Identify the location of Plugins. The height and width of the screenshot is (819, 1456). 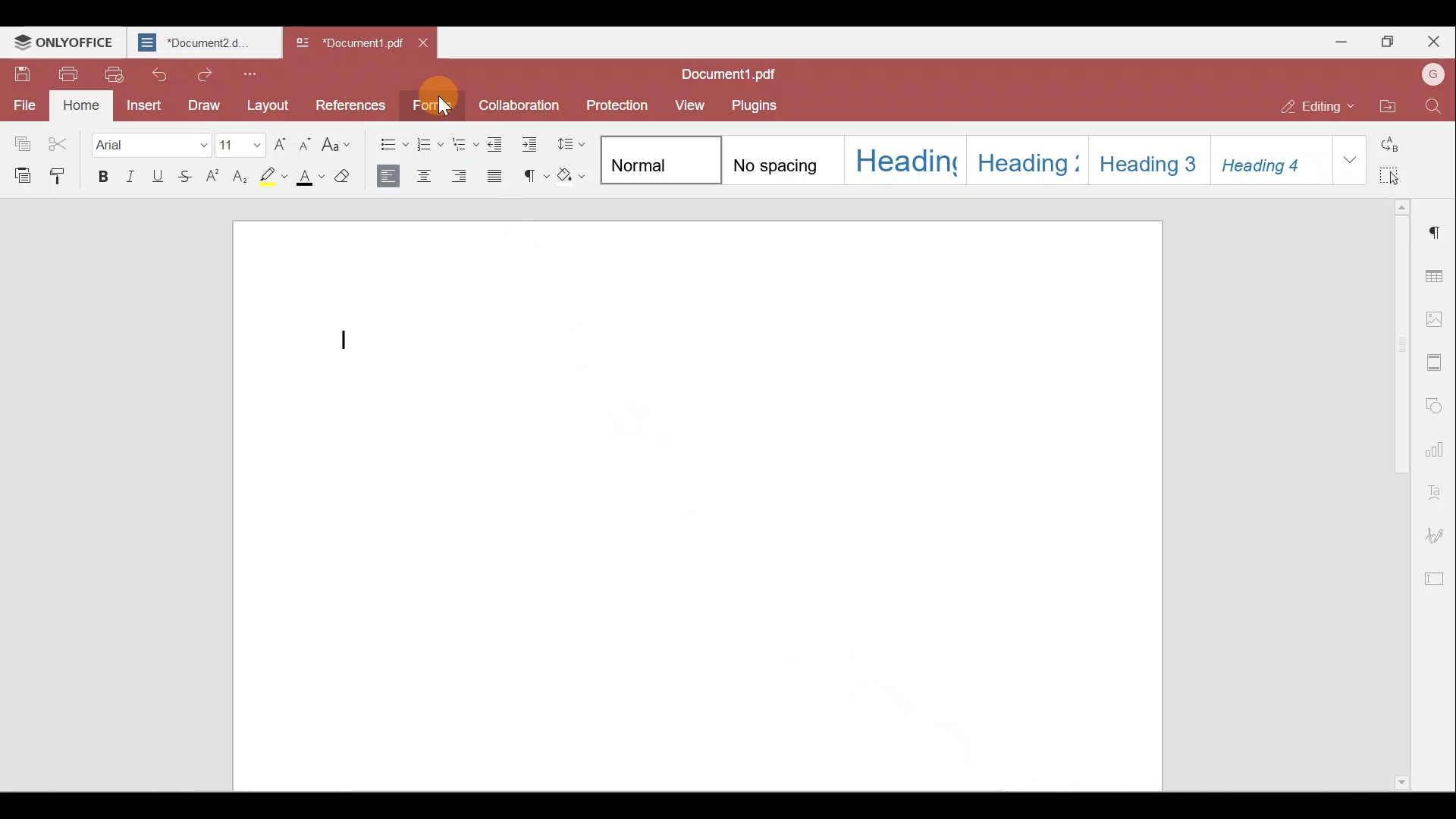
(757, 106).